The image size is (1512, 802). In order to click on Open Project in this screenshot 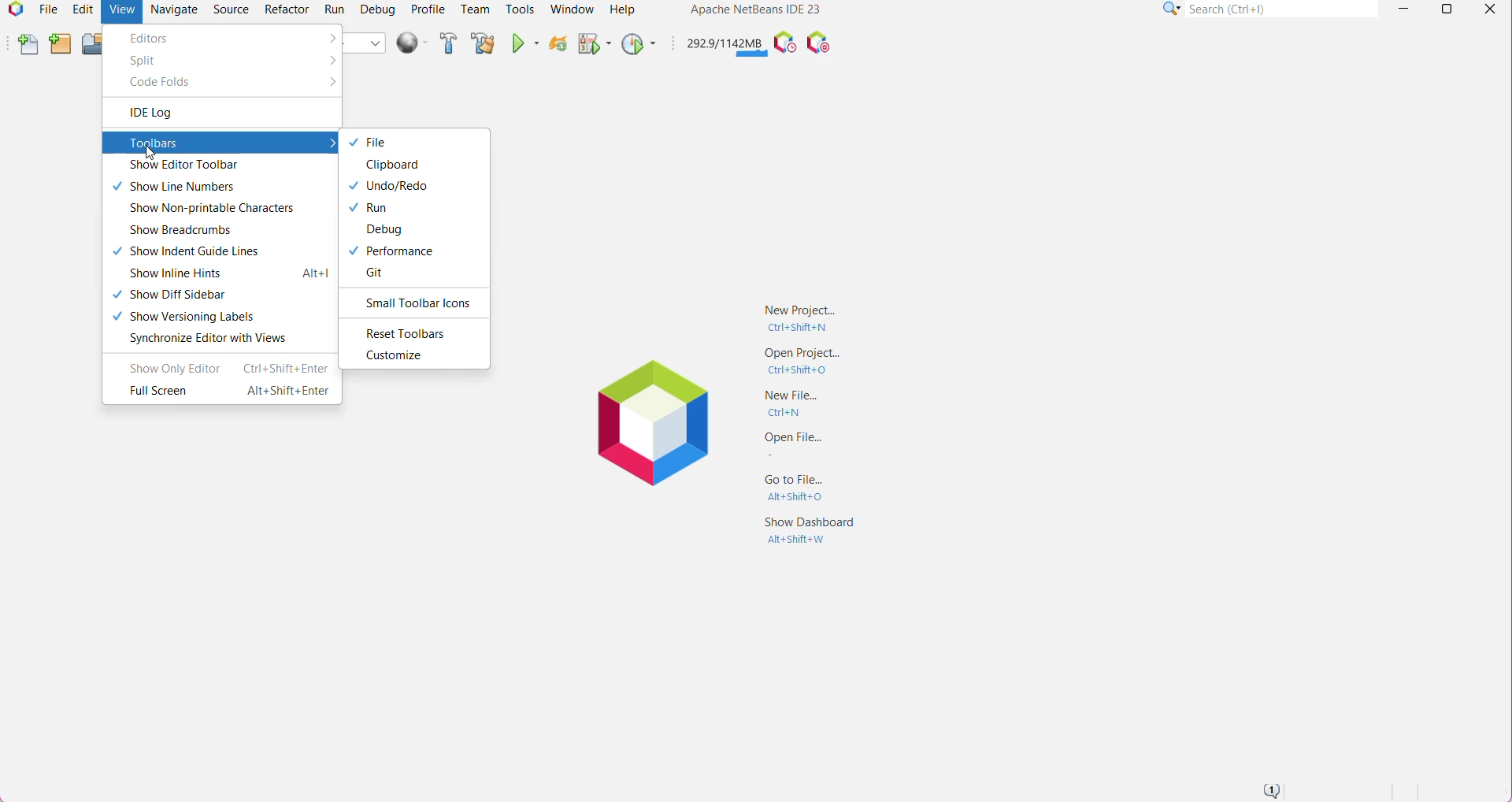, I will do `click(92, 45)`.